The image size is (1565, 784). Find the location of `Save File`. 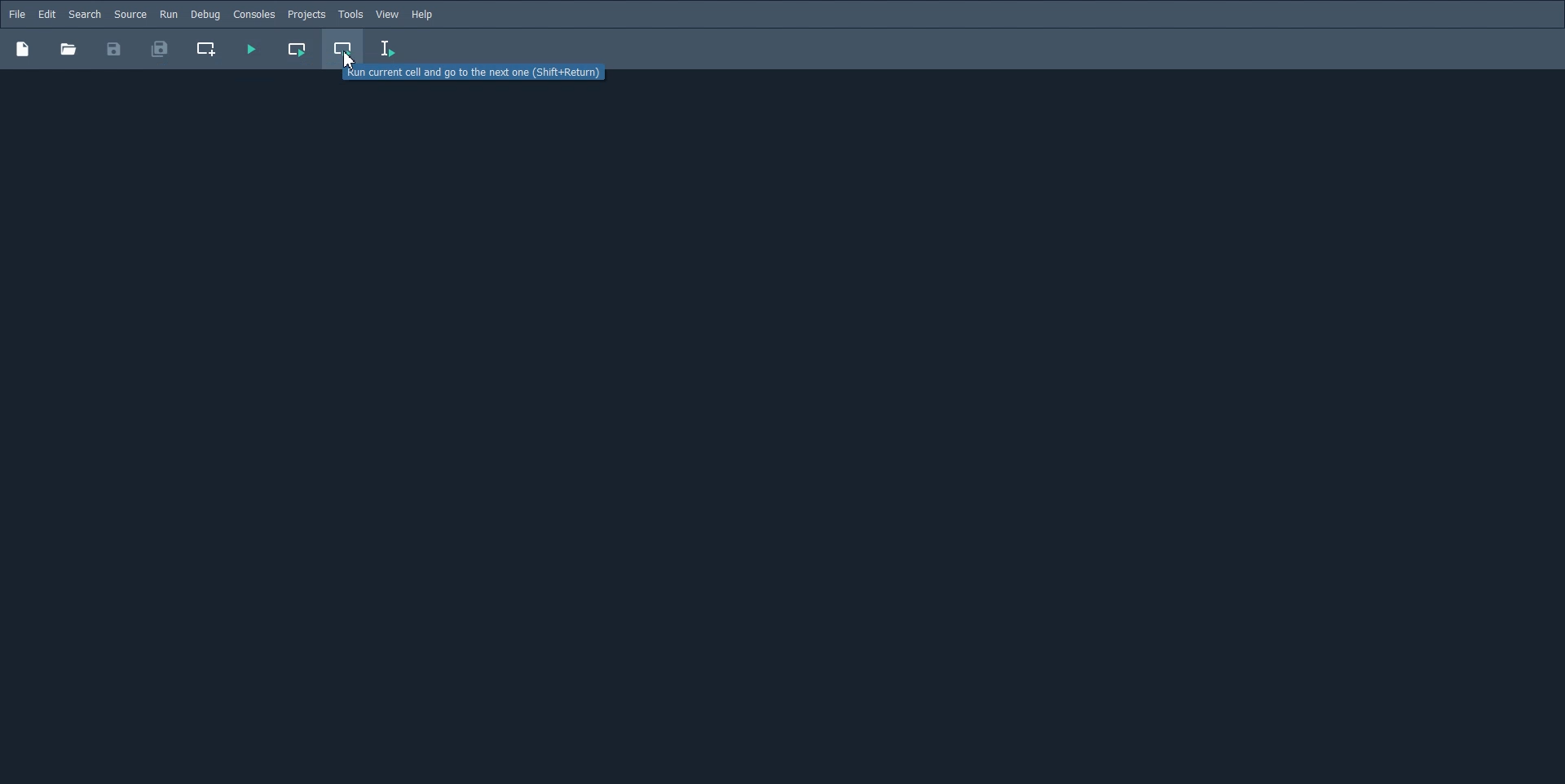

Save File is located at coordinates (114, 49).